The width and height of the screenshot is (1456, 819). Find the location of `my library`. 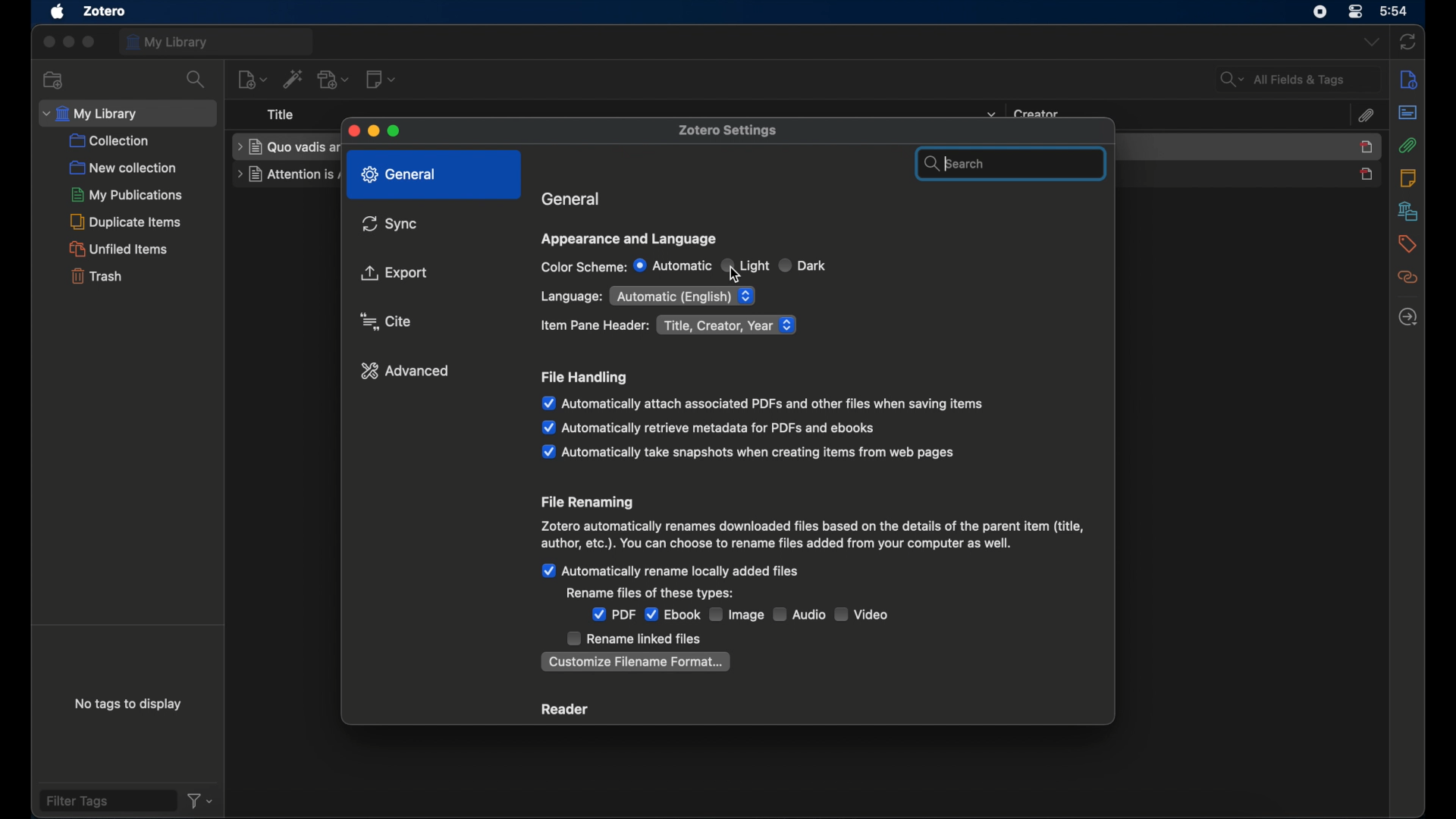

my library is located at coordinates (128, 112).